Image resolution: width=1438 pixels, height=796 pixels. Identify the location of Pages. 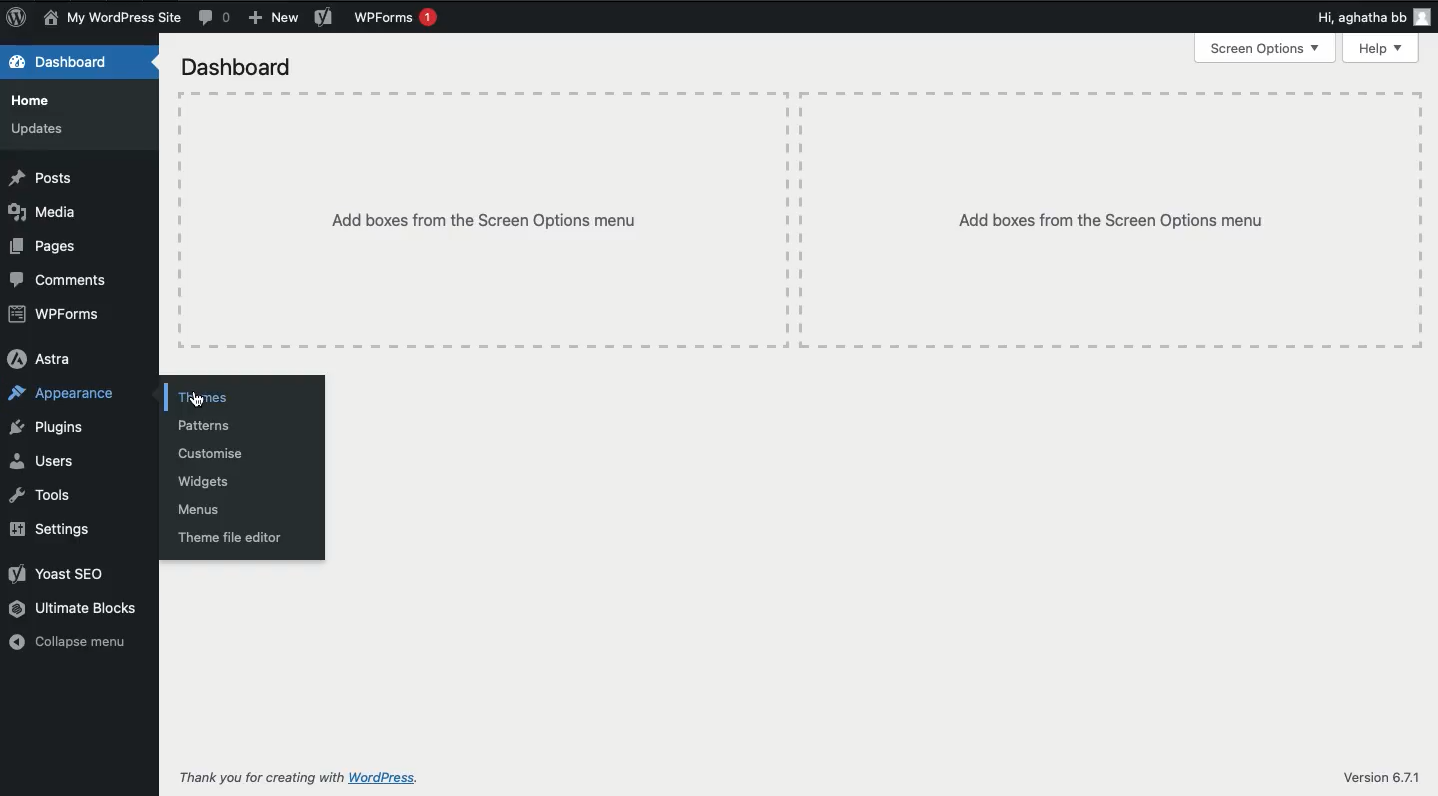
(48, 247).